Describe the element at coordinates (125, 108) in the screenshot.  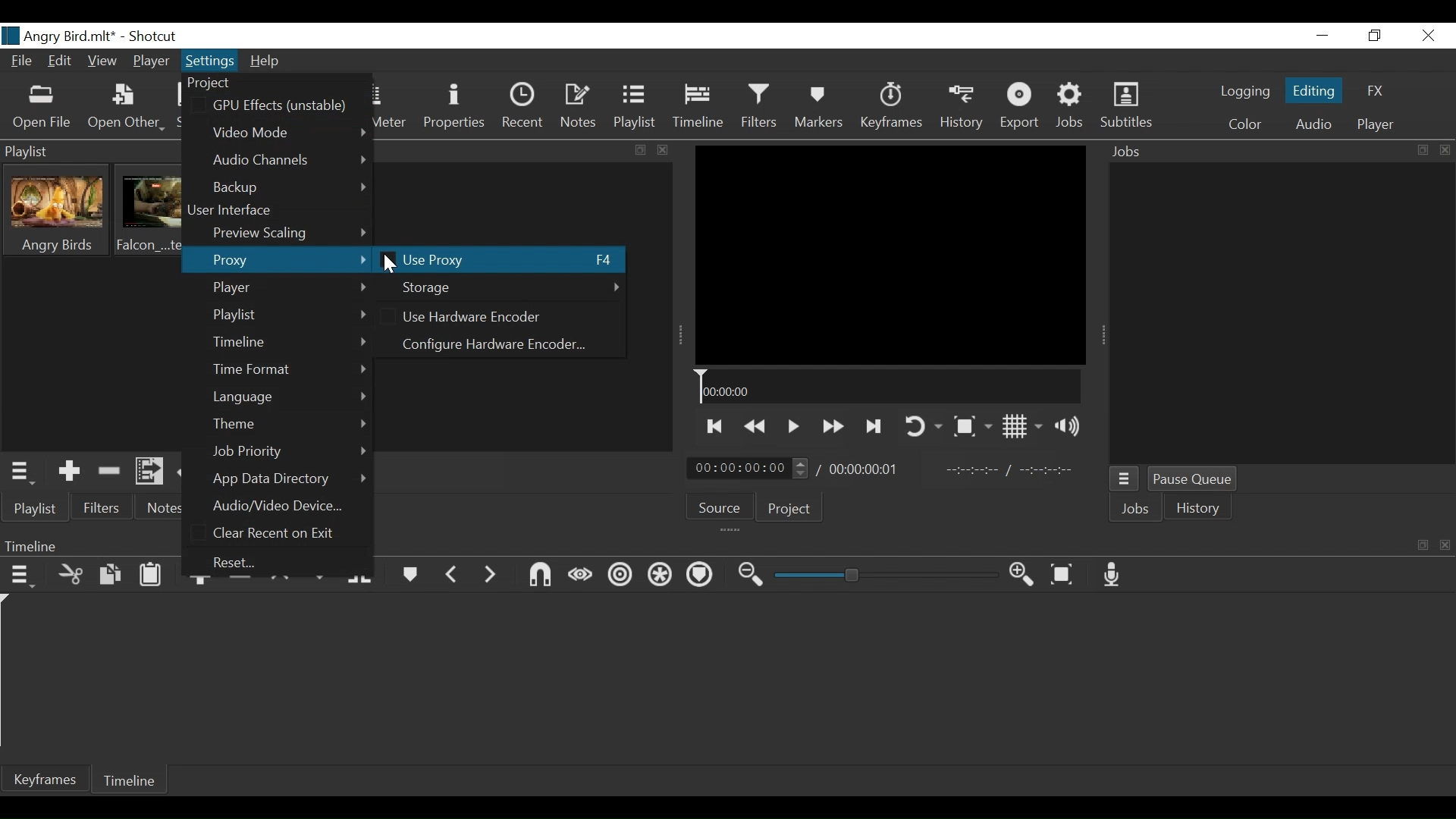
I see `Open Other` at that location.